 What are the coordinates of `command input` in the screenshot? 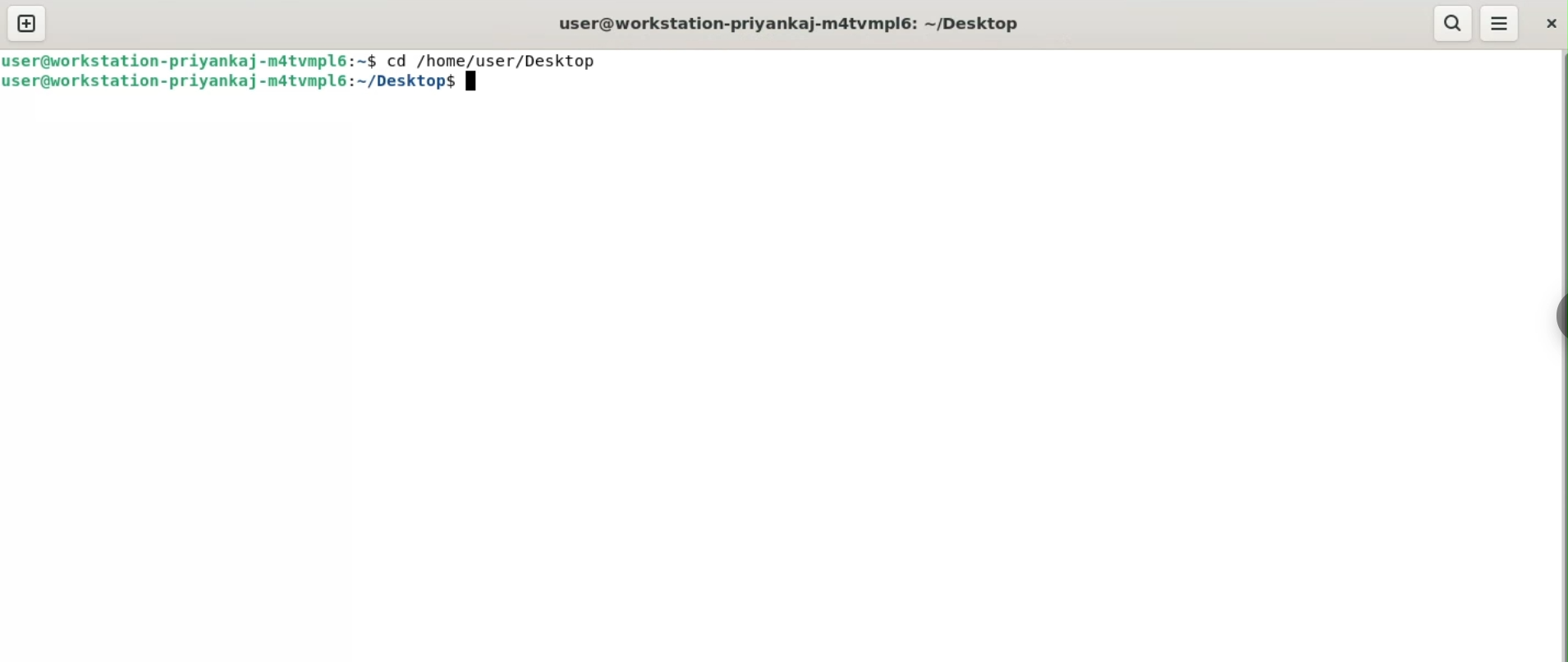 It's located at (1012, 83).